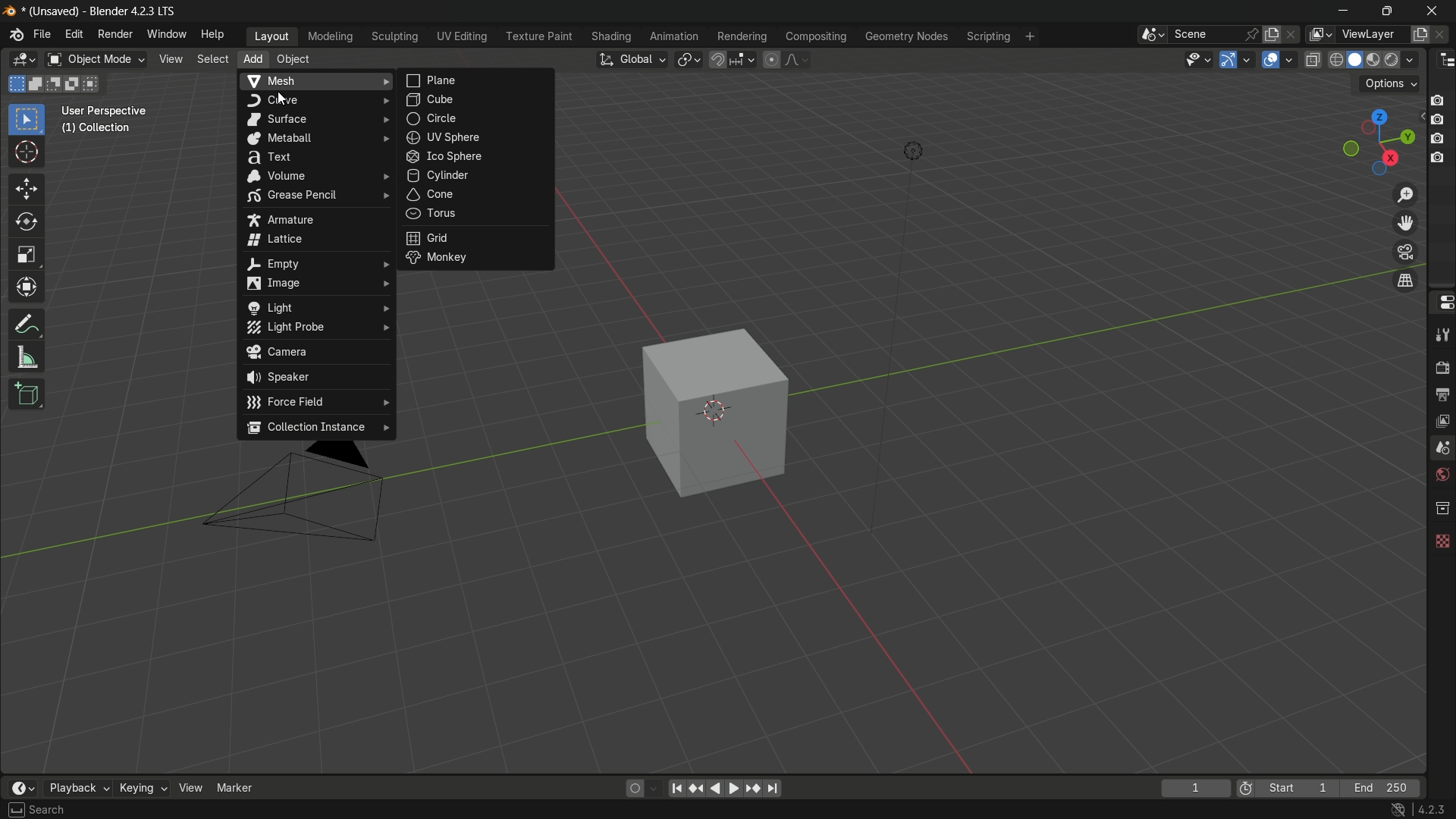  What do you see at coordinates (750, 788) in the screenshot?
I see `jump to keyframe` at bounding box center [750, 788].